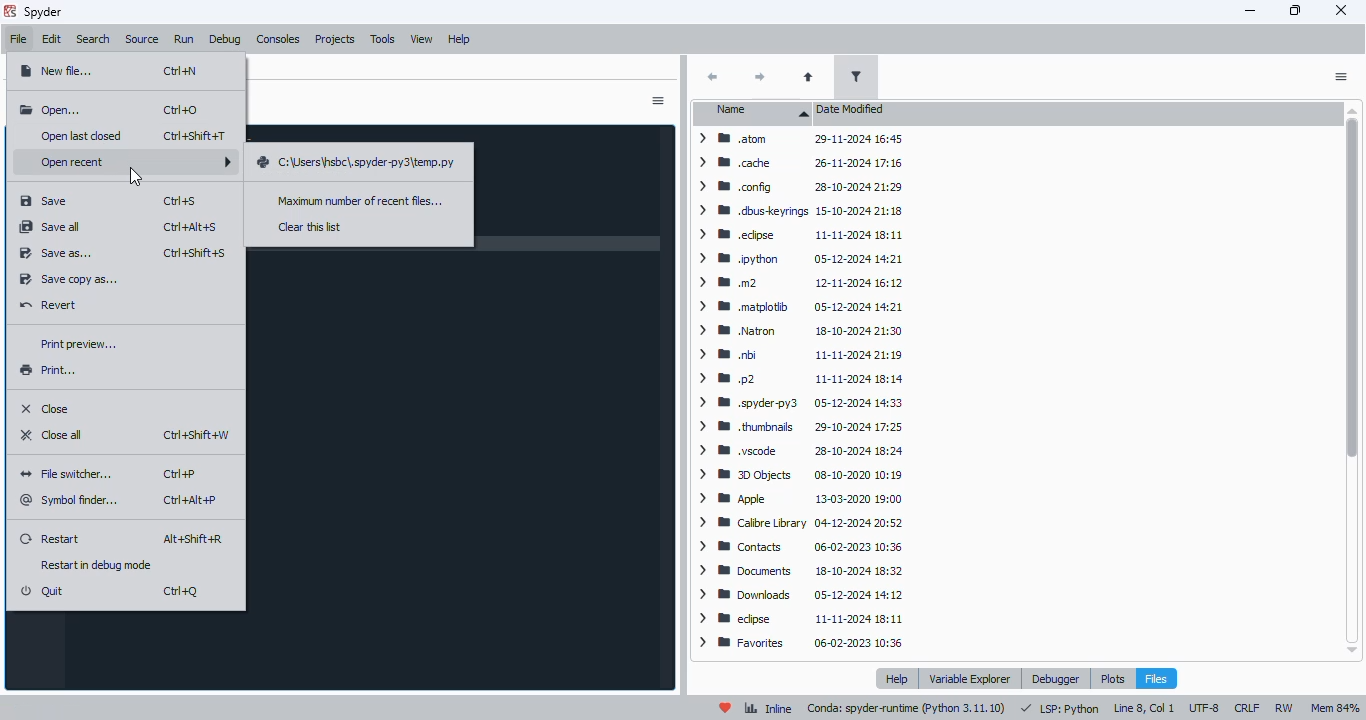 This screenshot has width=1366, height=720. What do you see at coordinates (143, 39) in the screenshot?
I see `source` at bounding box center [143, 39].